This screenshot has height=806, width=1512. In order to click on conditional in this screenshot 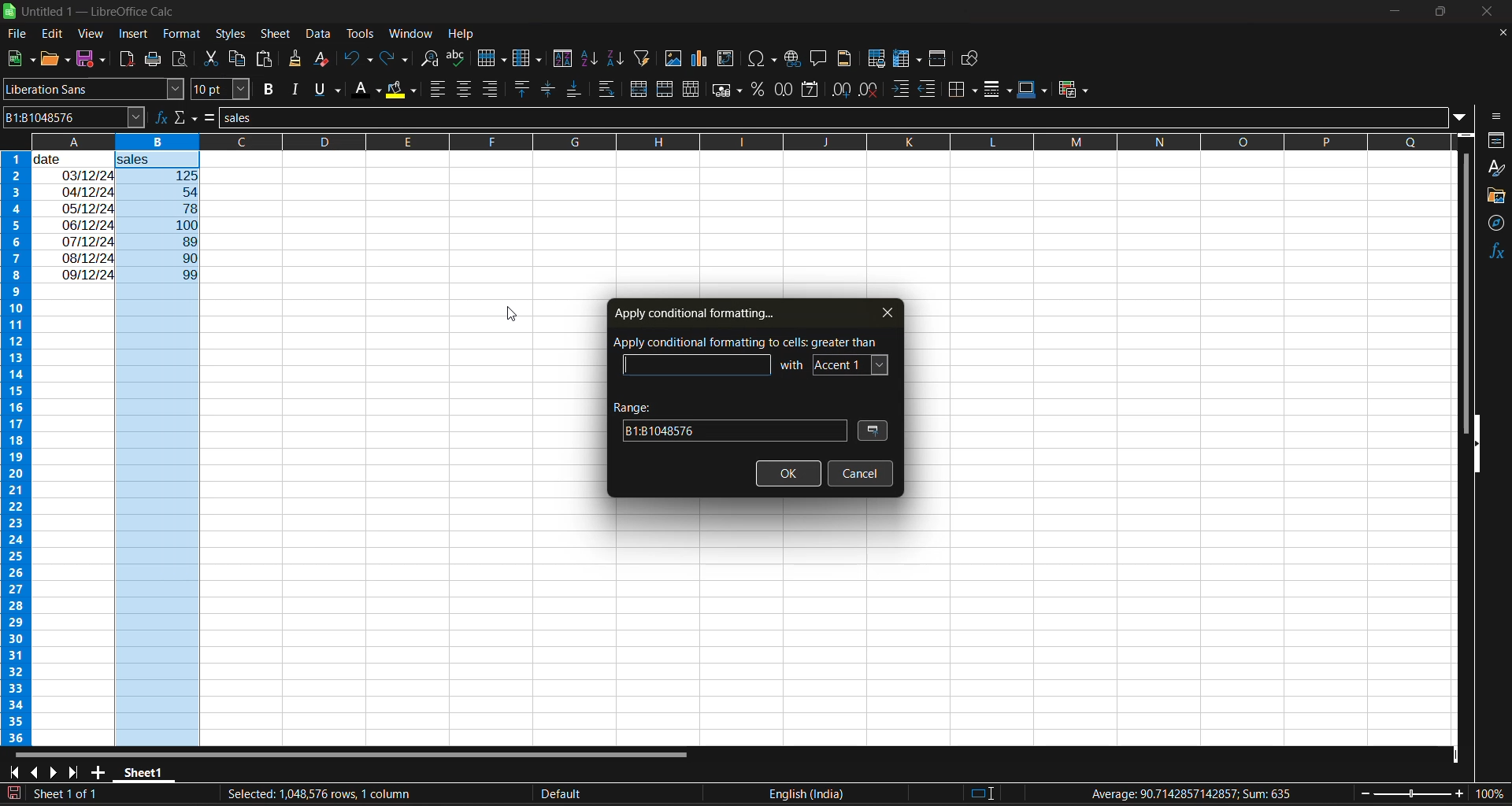, I will do `click(1071, 91)`.